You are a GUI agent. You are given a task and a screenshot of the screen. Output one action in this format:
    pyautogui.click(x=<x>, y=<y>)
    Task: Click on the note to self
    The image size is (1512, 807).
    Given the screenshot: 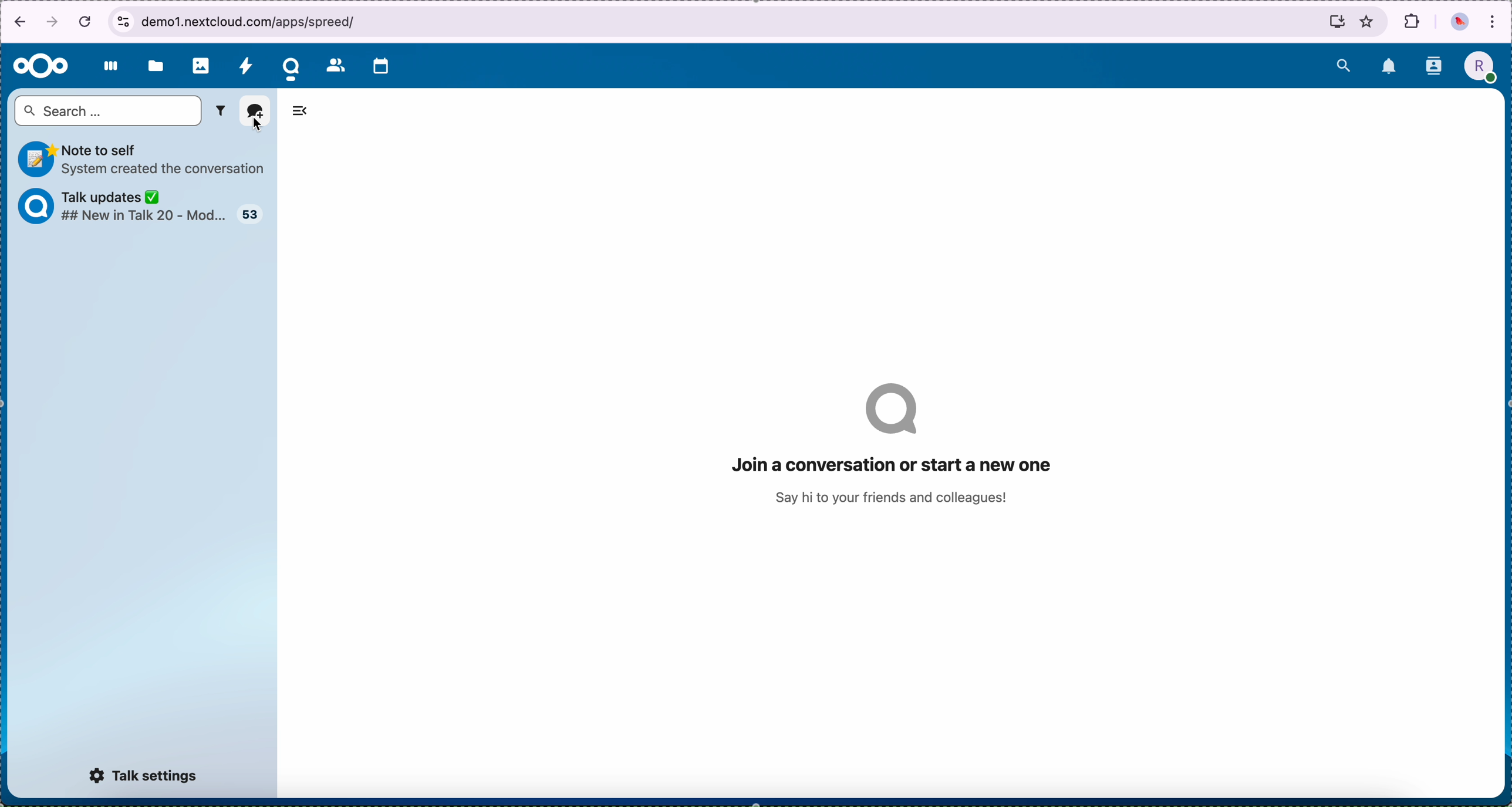 What is the action you would take?
    pyautogui.click(x=144, y=160)
    